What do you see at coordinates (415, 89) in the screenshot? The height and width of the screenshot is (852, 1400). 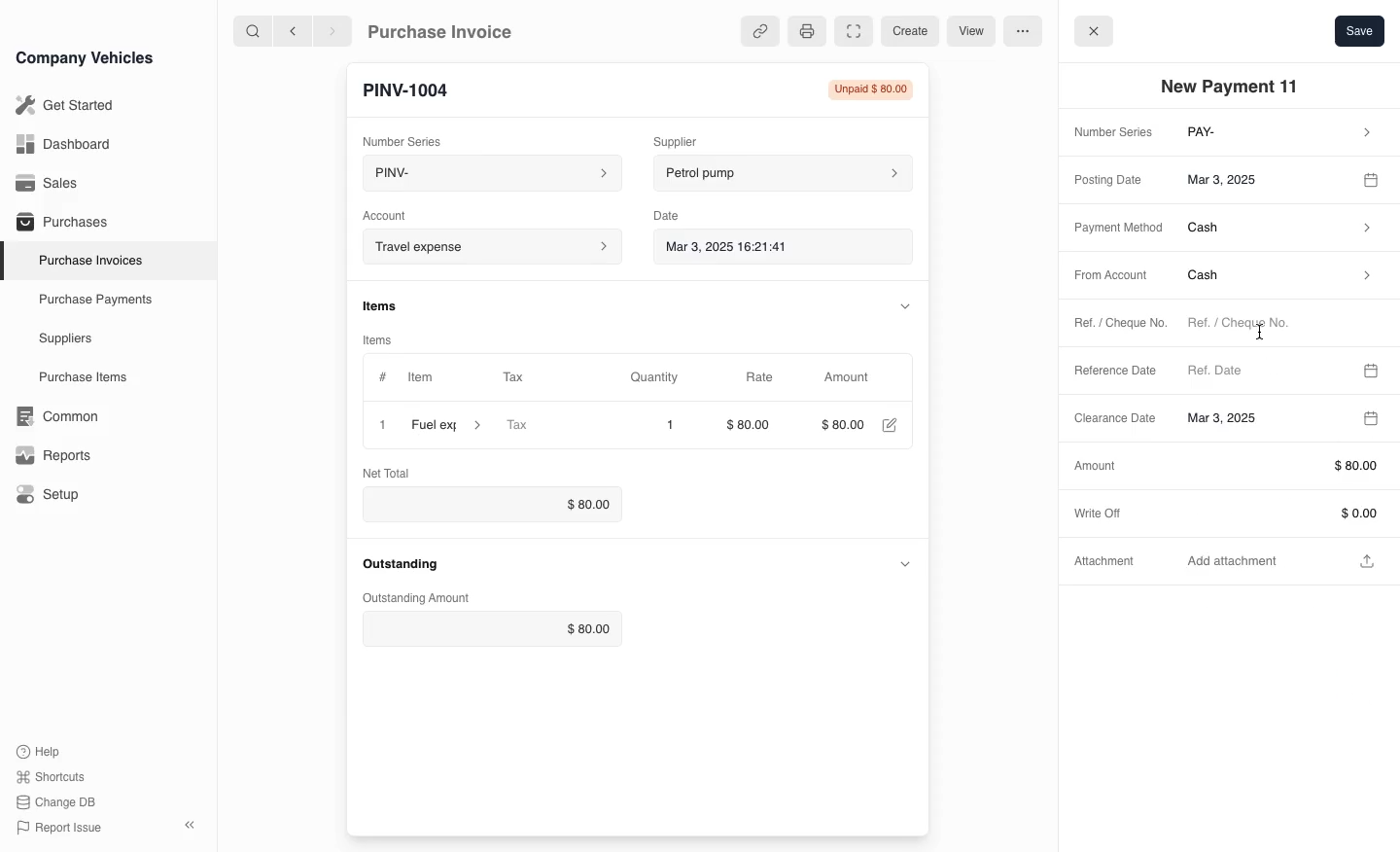 I see `New Entry` at bounding box center [415, 89].